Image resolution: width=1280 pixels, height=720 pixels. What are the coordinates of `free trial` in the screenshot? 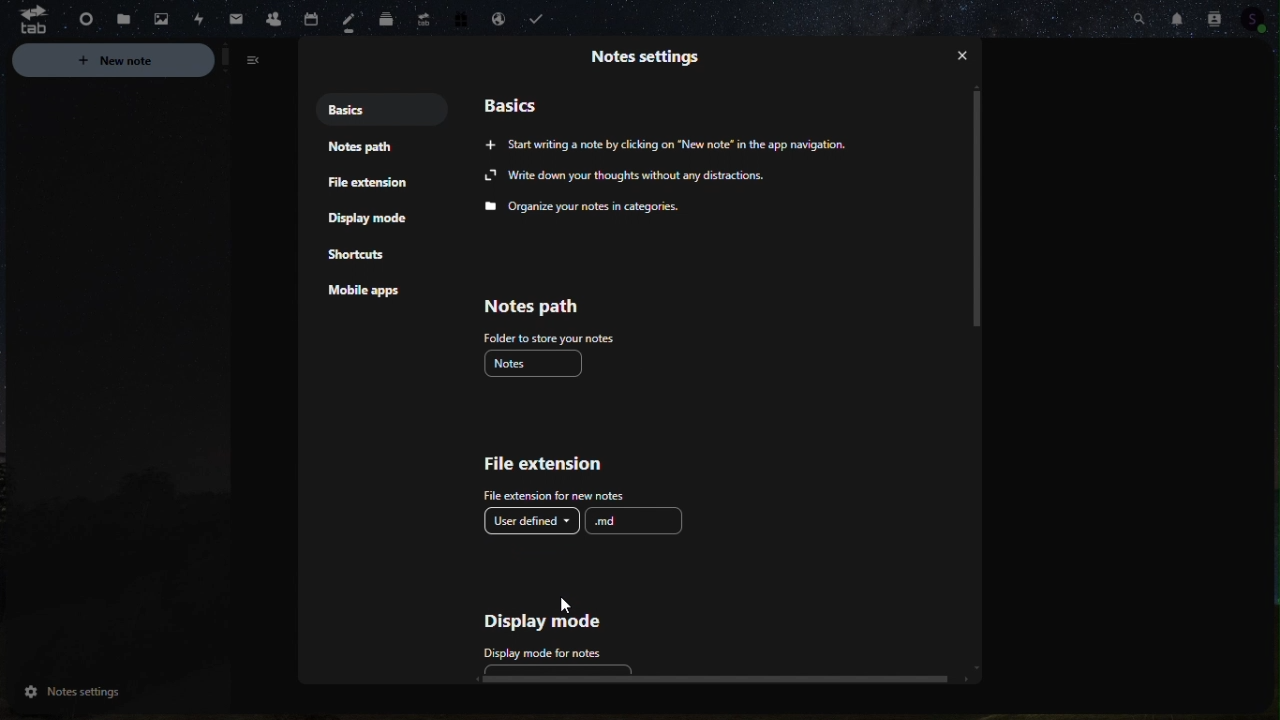 It's located at (461, 18).